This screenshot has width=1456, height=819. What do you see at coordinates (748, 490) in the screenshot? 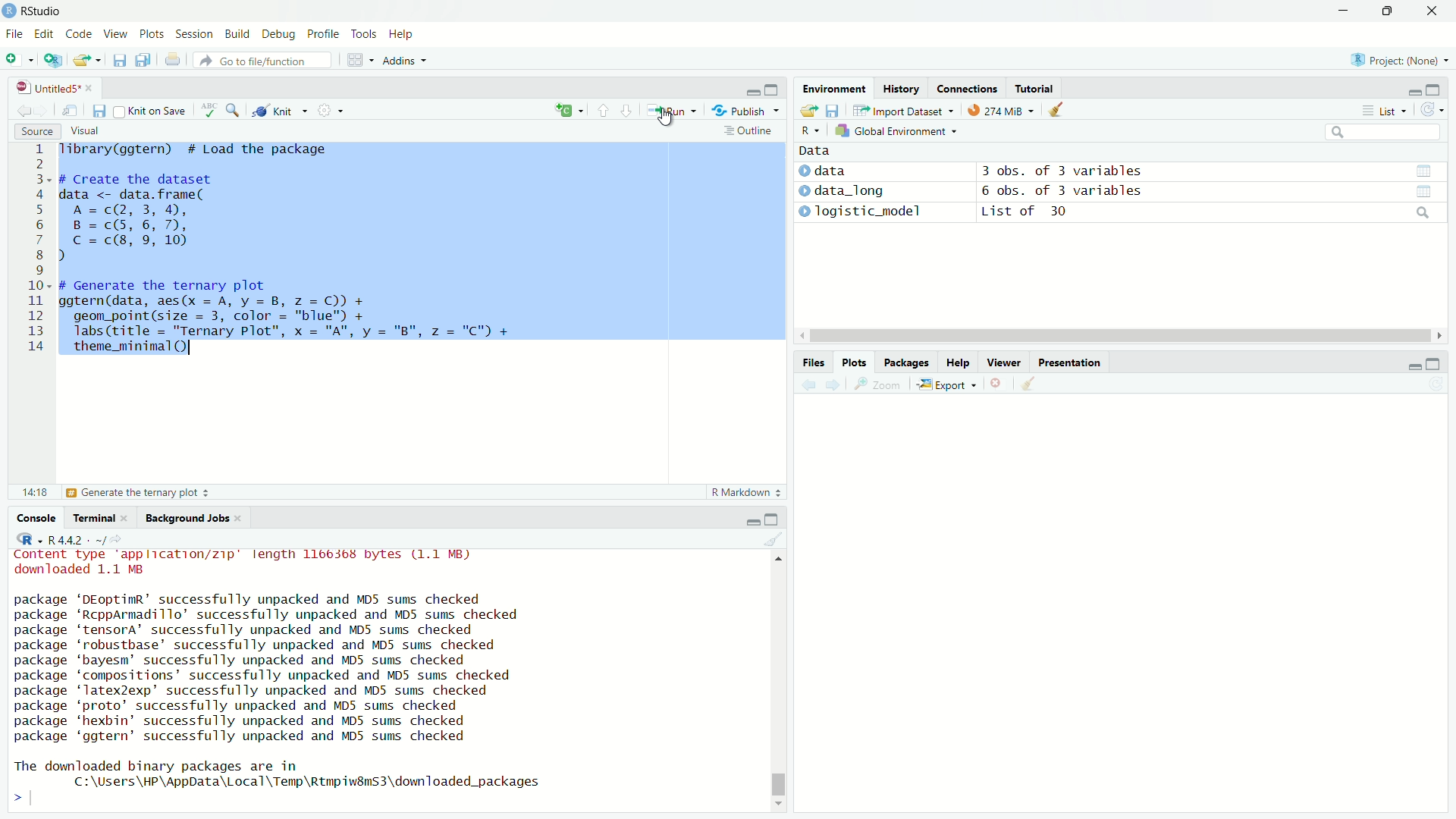
I see `R Markdown *` at bounding box center [748, 490].